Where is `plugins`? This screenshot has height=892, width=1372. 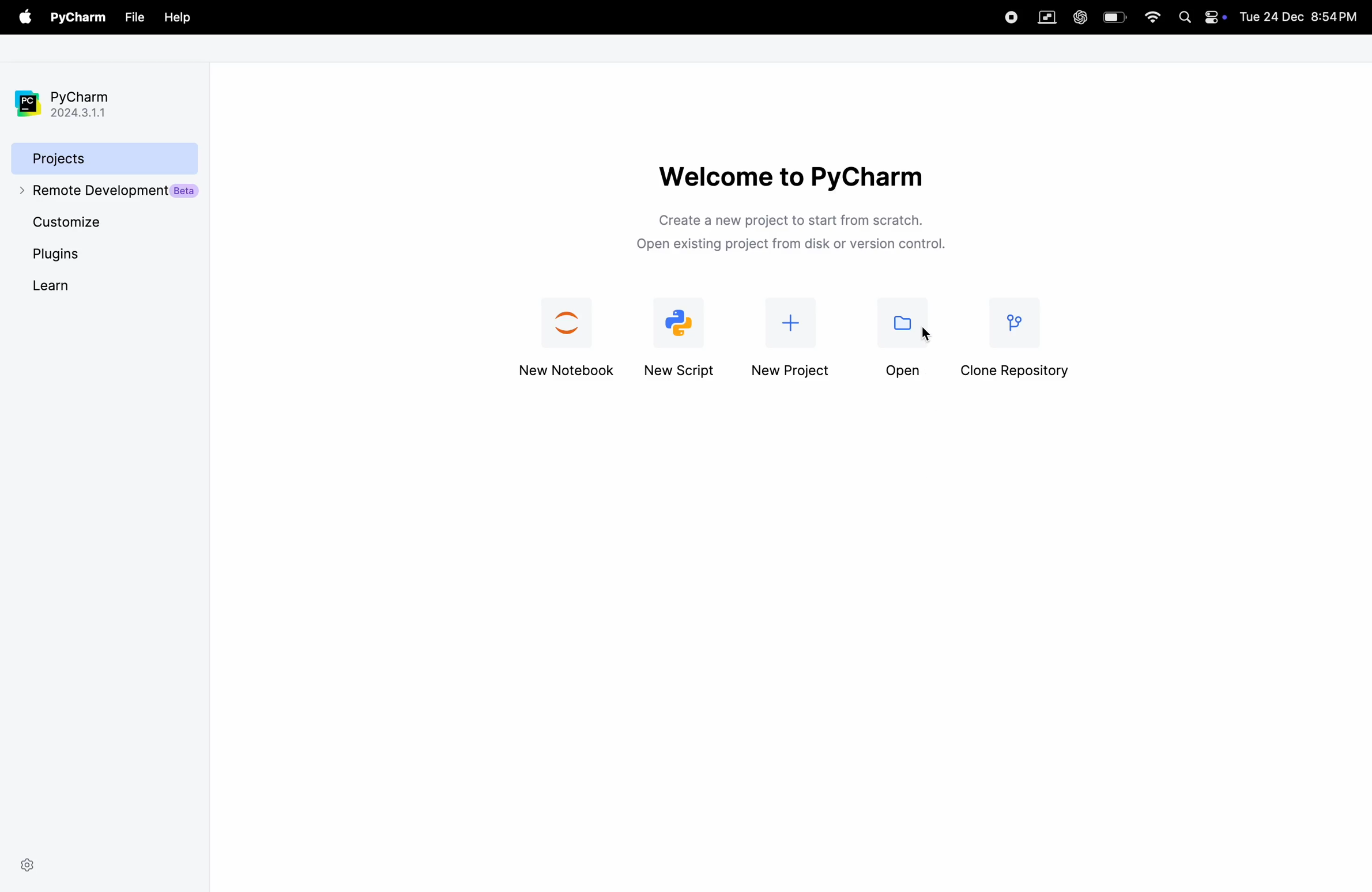 plugins is located at coordinates (77, 254).